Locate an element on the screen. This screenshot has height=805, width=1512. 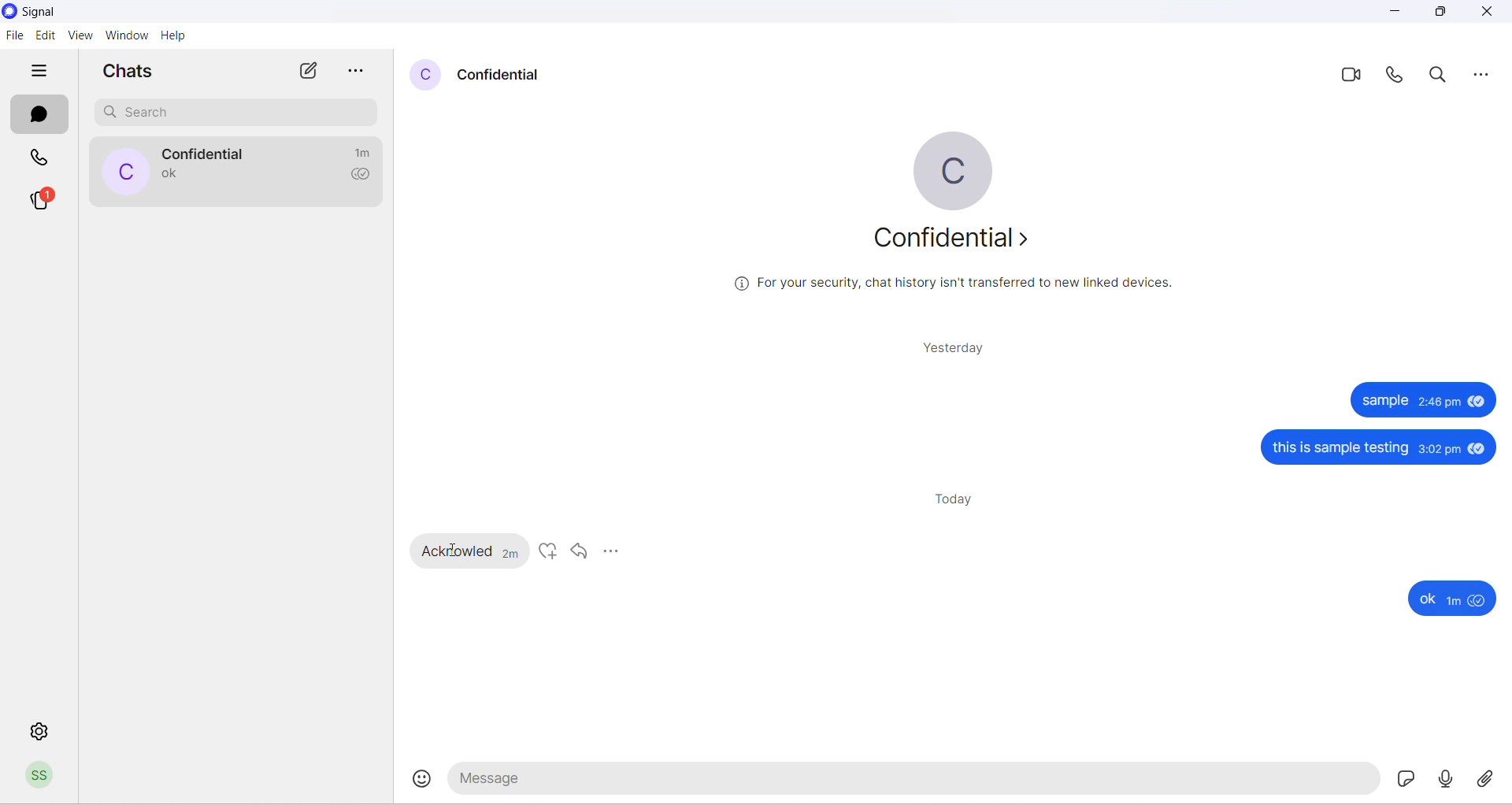
profile is located at coordinates (40, 777).